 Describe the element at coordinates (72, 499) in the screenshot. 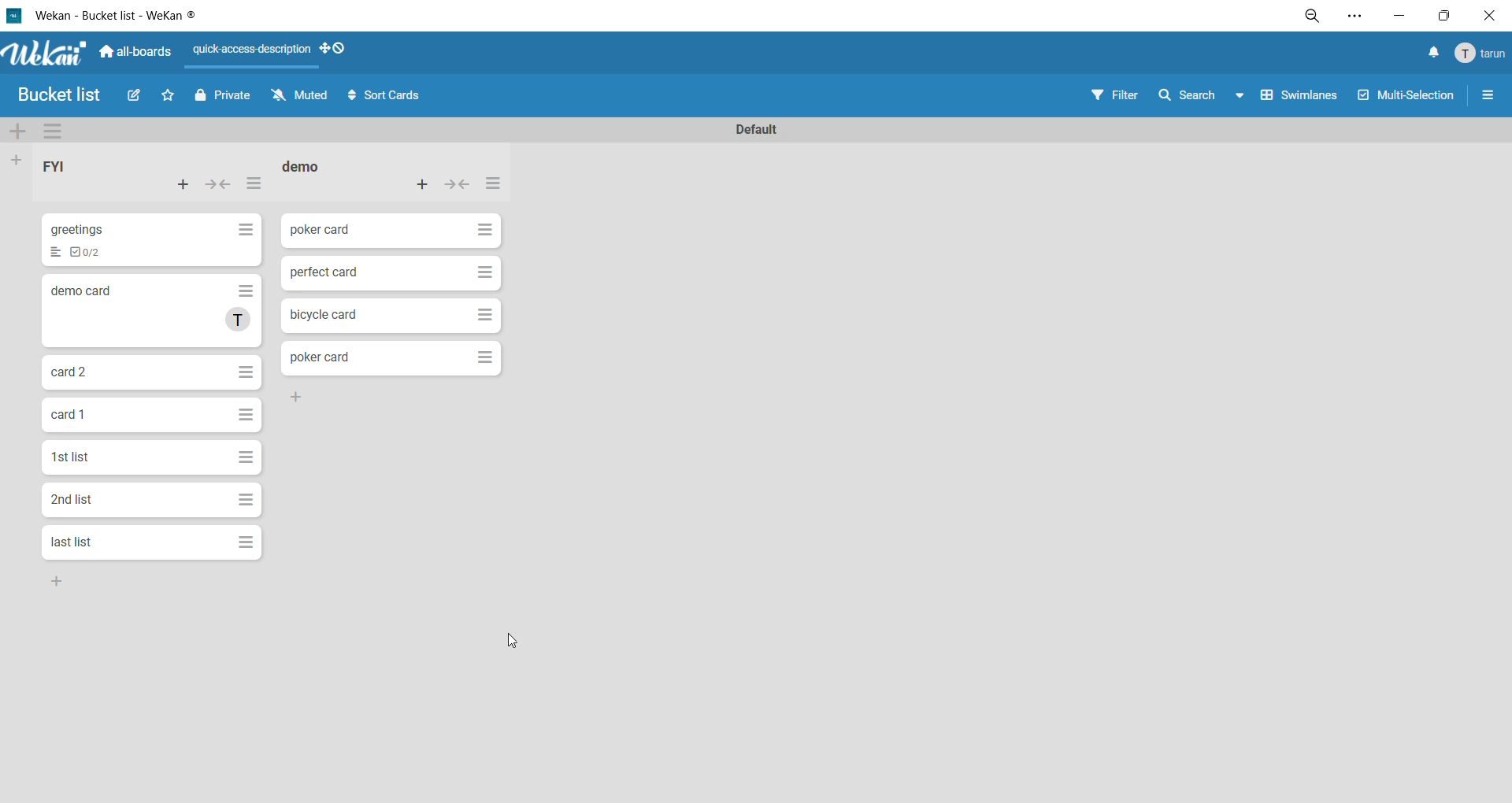

I see `2nd list` at that location.